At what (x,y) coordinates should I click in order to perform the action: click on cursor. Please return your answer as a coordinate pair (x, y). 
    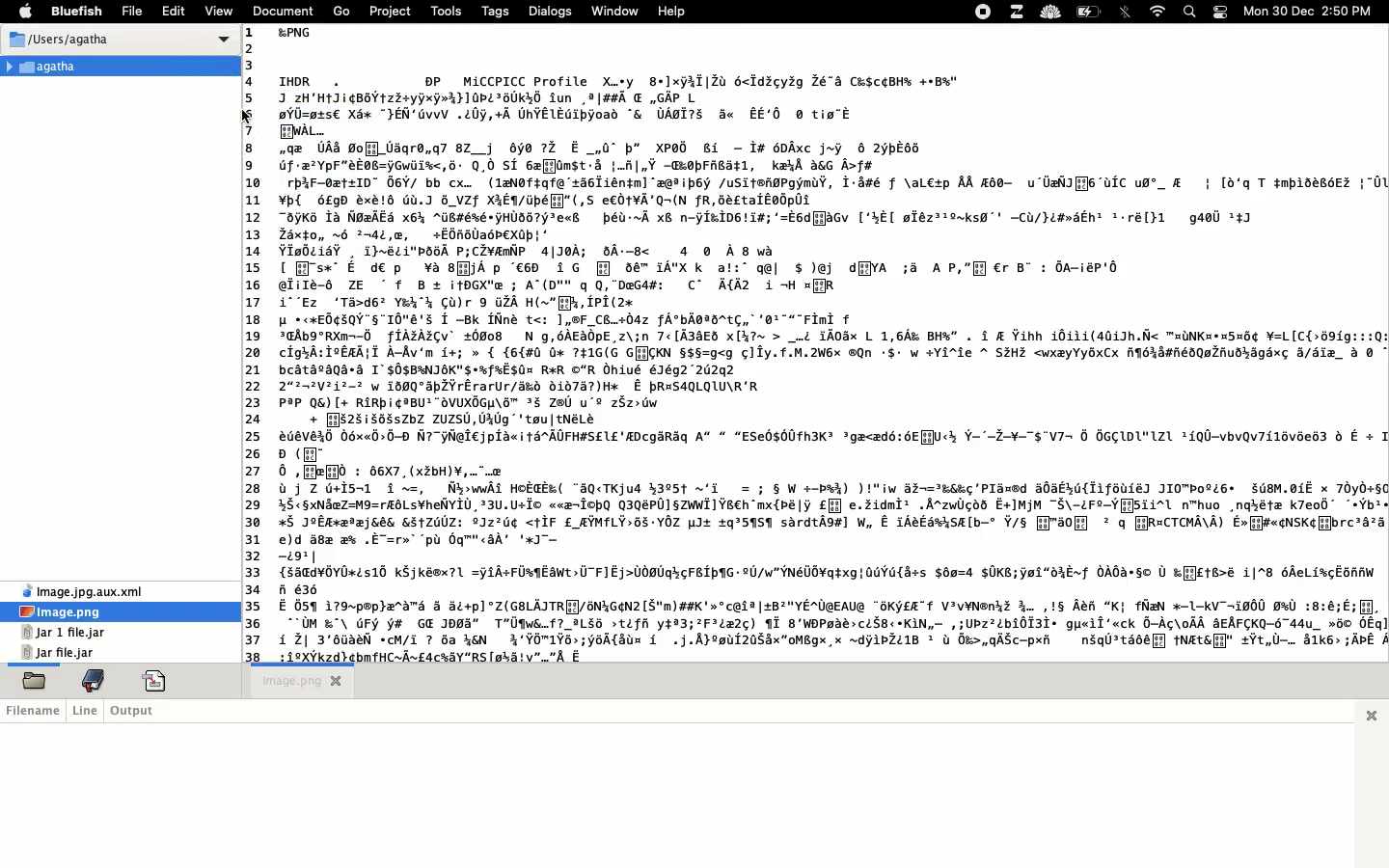
    Looking at the image, I should click on (246, 118).